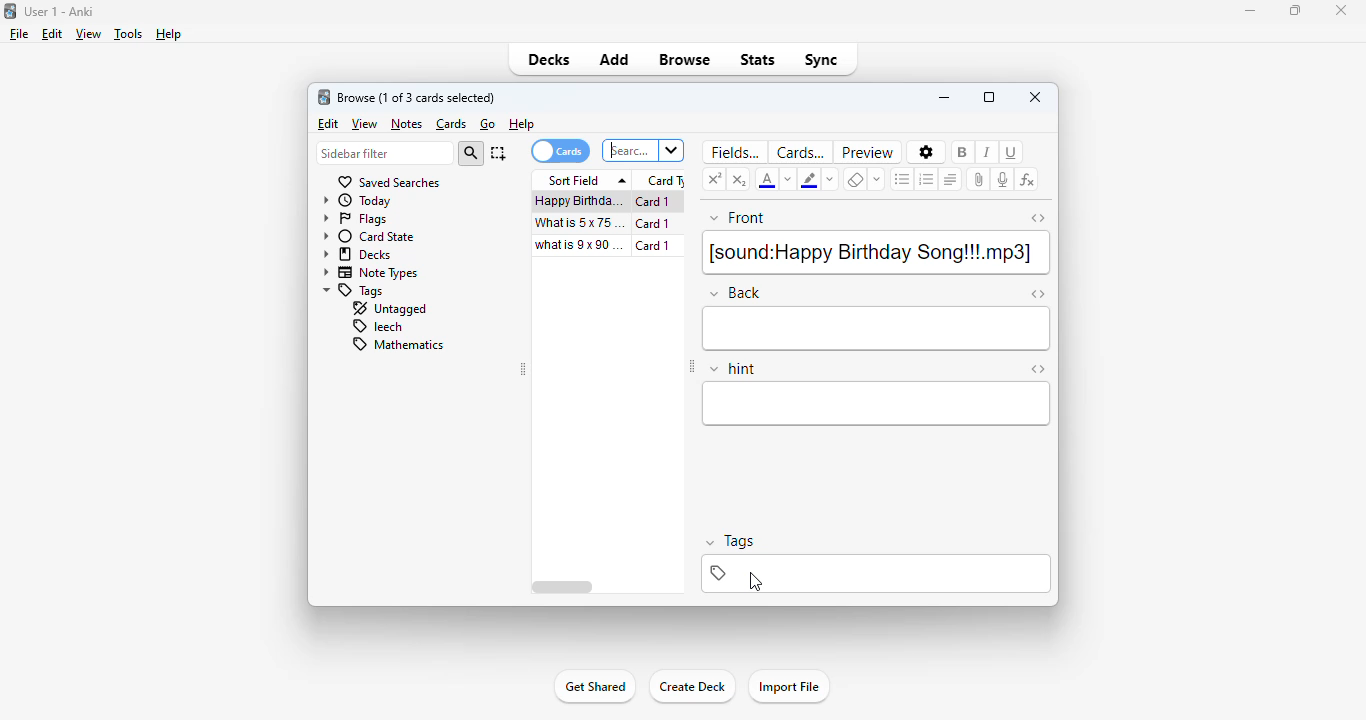 The height and width of the screenshot is (720, 1366). I want to click on equations, so click(1027, 181).